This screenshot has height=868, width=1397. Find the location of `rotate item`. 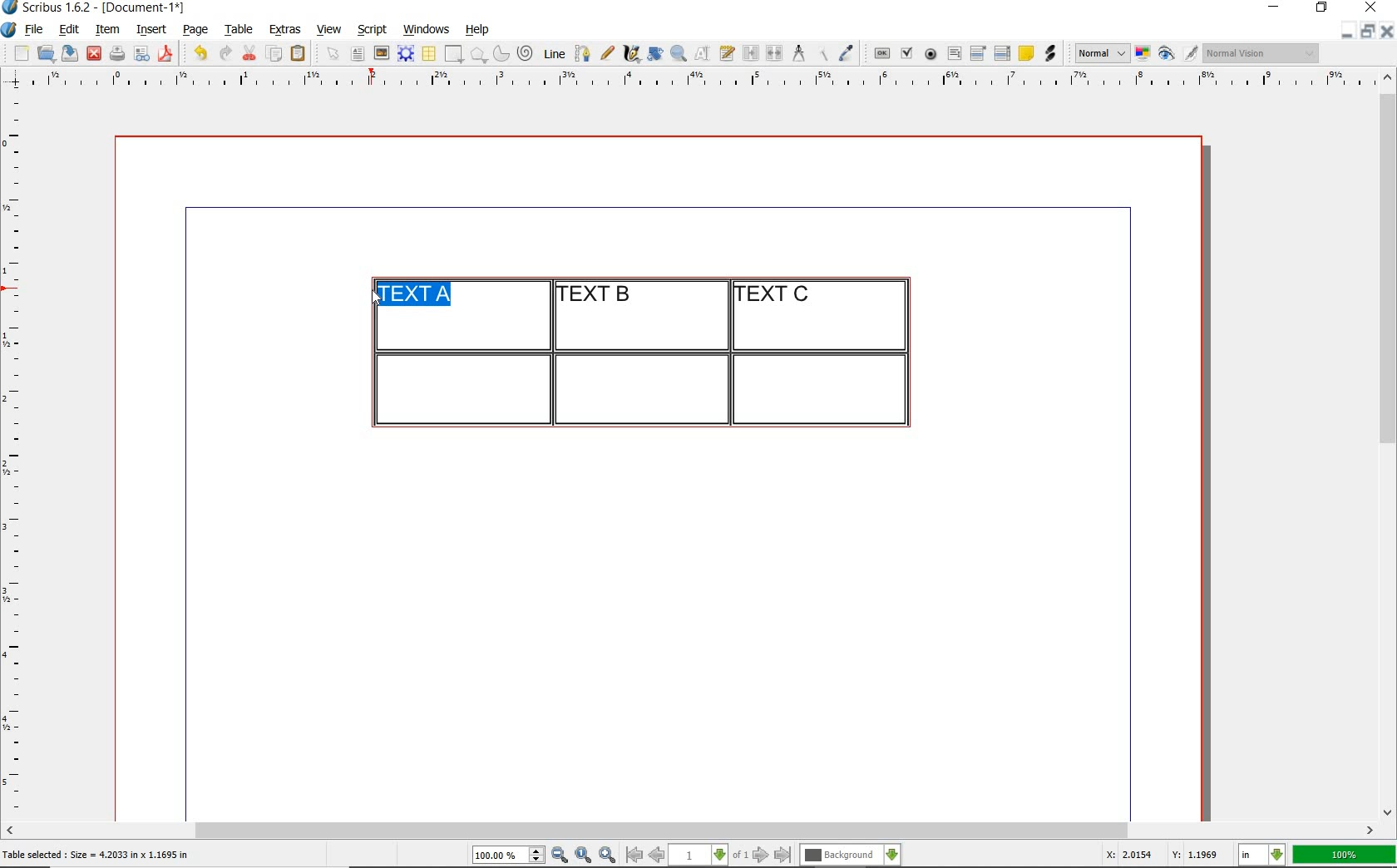

rotate item is located at coordinates (655, 53).